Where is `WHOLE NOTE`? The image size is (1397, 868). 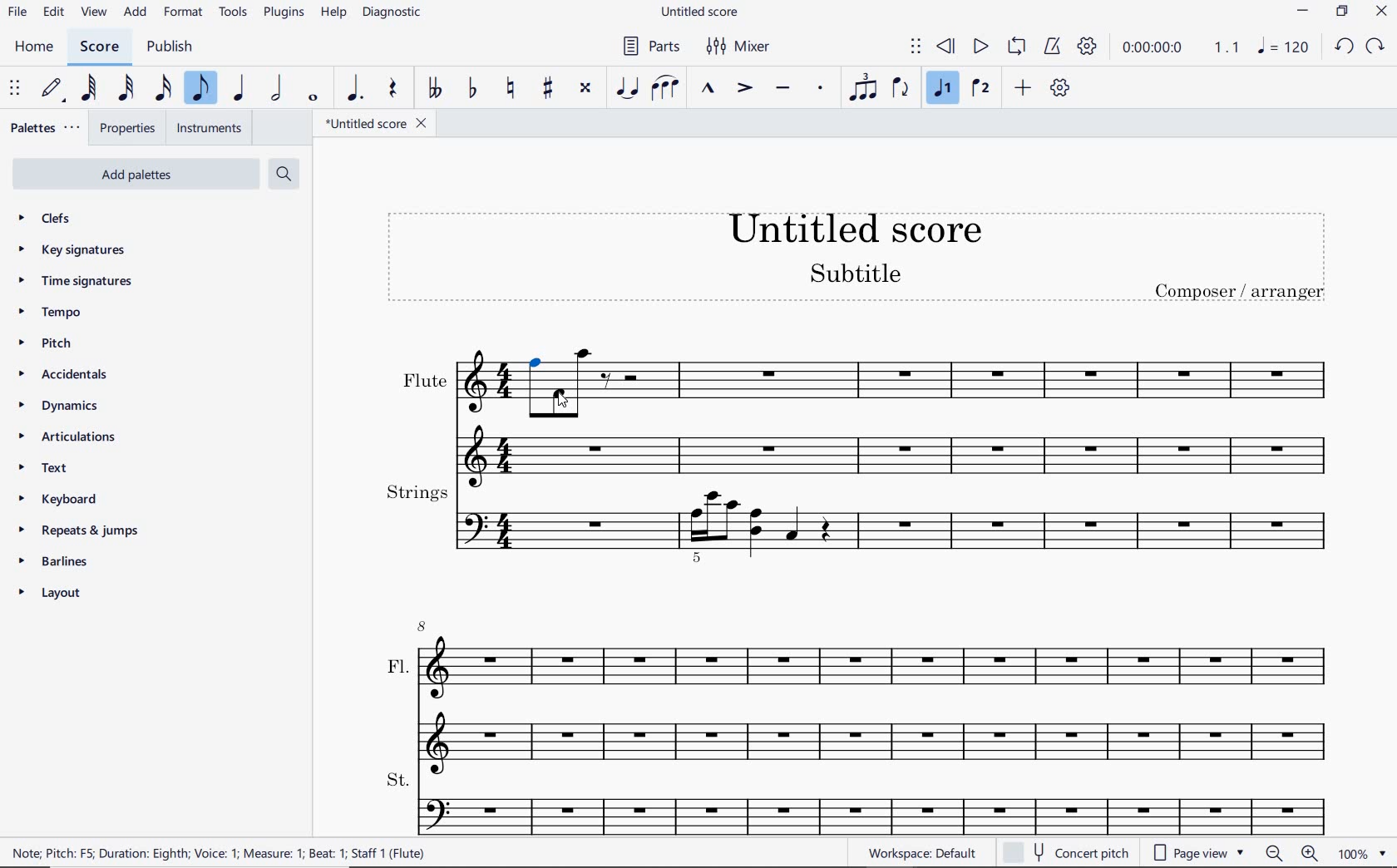
WHOLE NOTE is located at coordinates (313, 98).